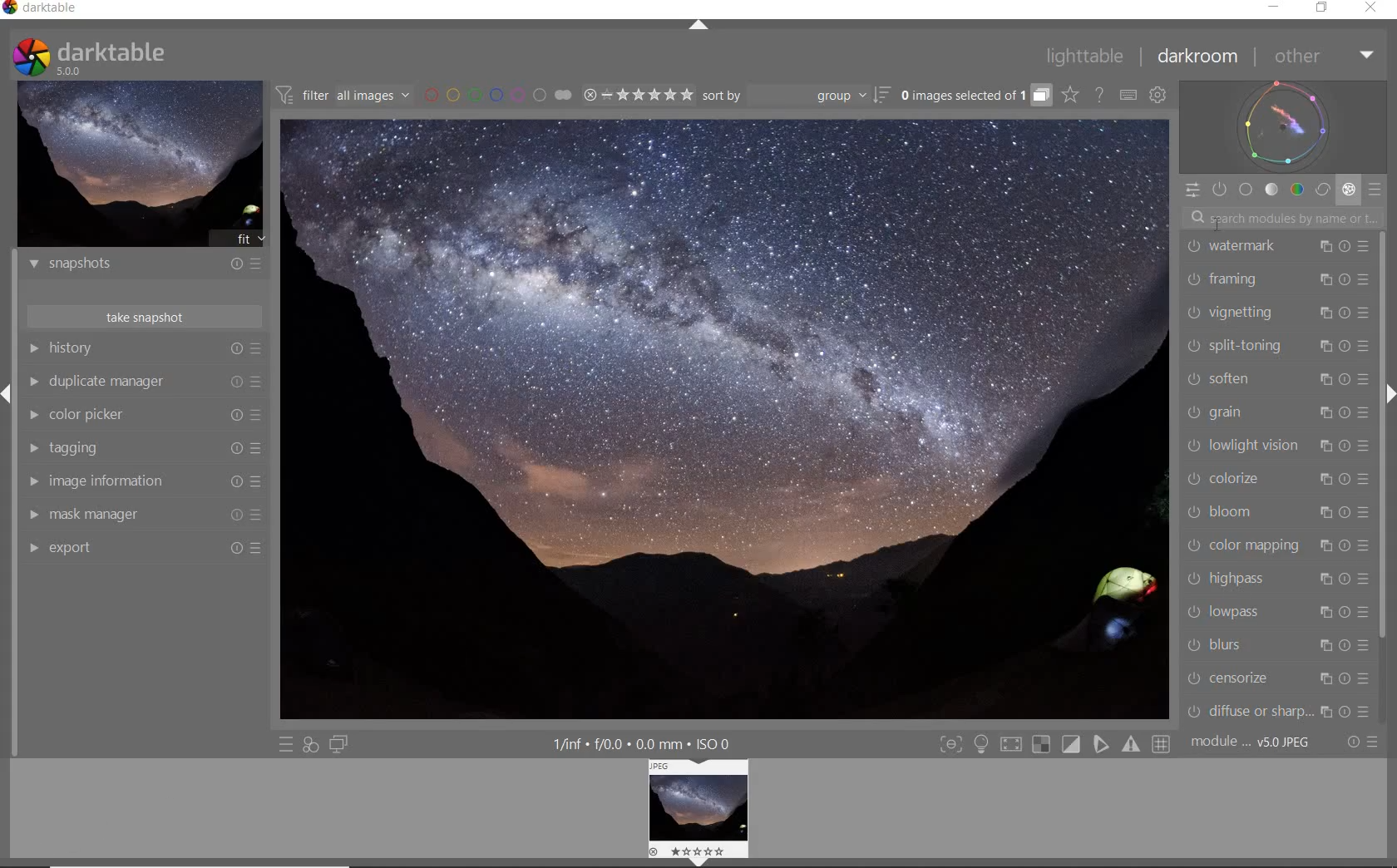  I want to click on presets, so click(1362, 612).